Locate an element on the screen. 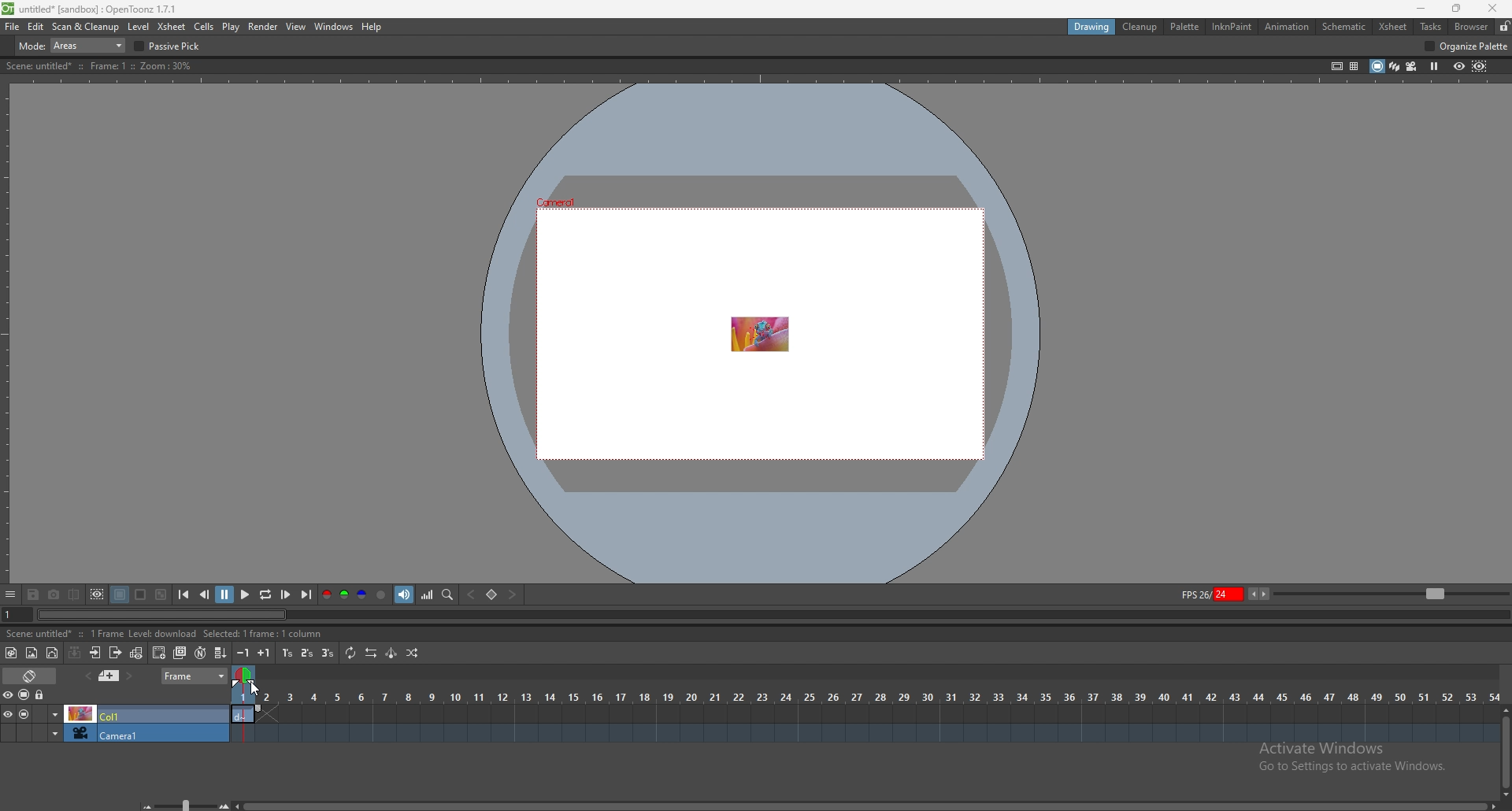 This screenshot has width=1512, height=811. freeze is located at coordinates (1435, 67).